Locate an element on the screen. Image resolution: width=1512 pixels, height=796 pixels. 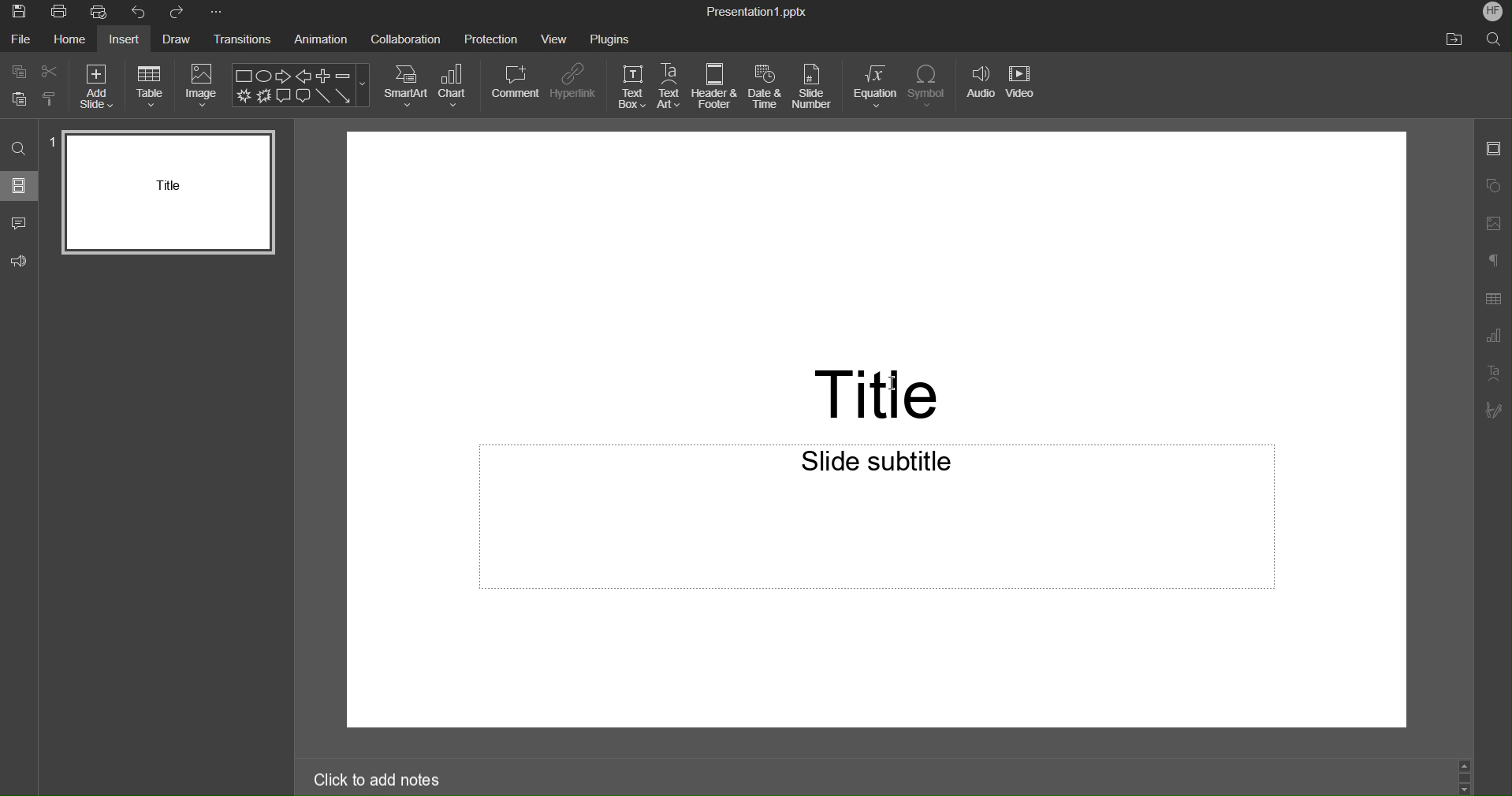
Hyperlink is located at coordinates (575, 84).